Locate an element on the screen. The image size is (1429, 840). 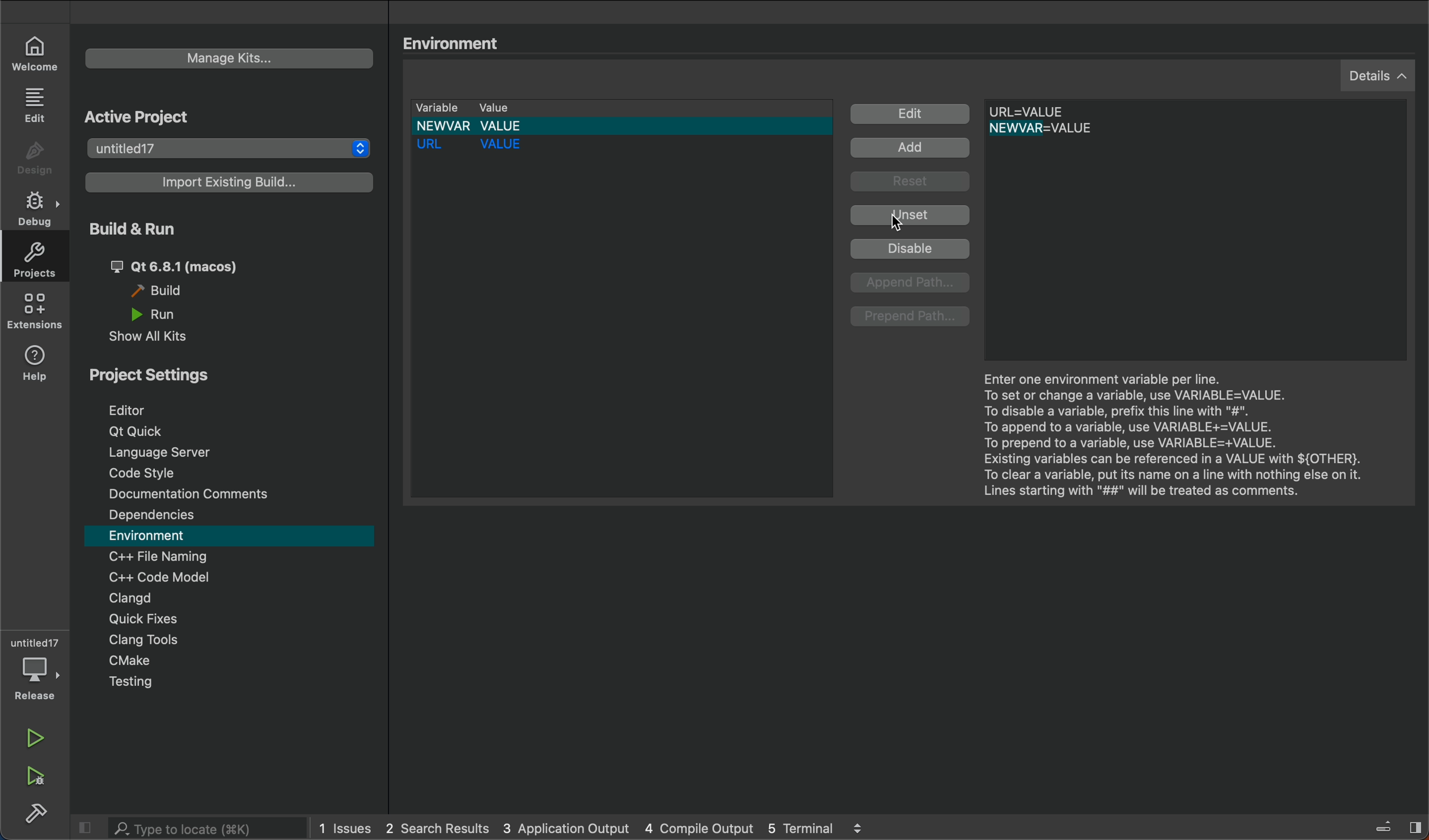
code model is located at coordinates (159, 578).